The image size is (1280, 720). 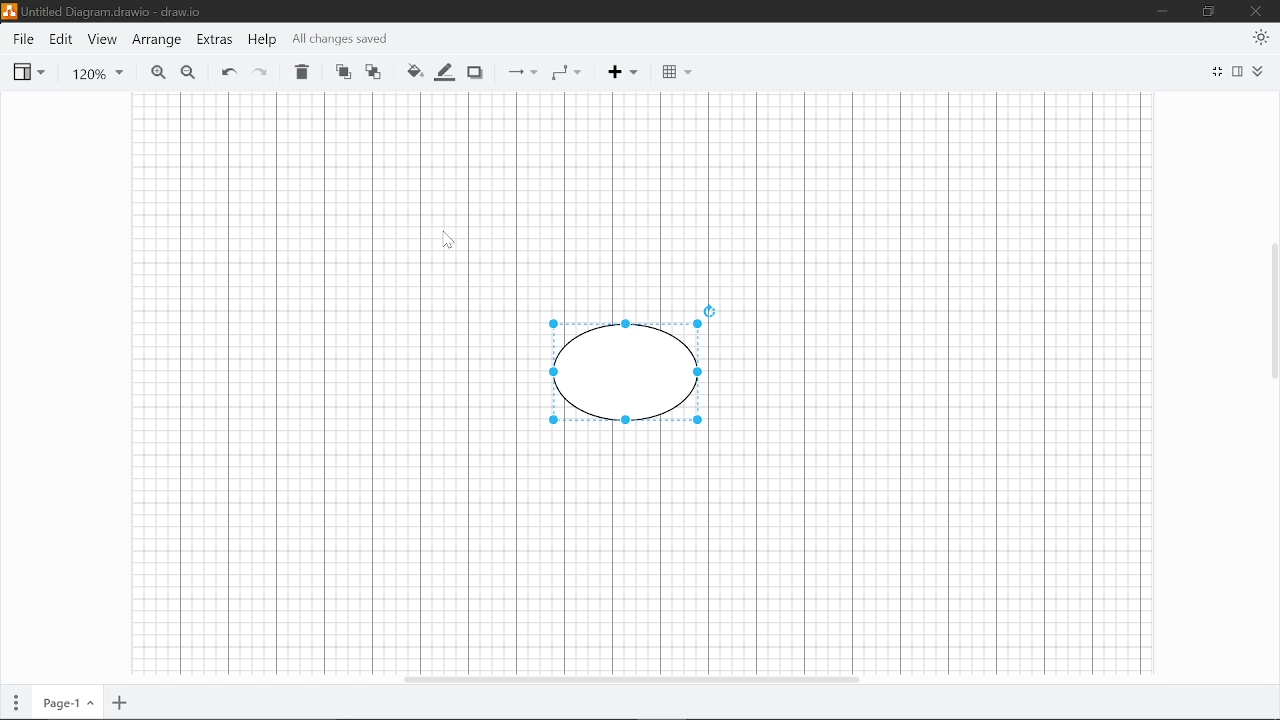 I want to click on redo, so click(x=259, y=70).